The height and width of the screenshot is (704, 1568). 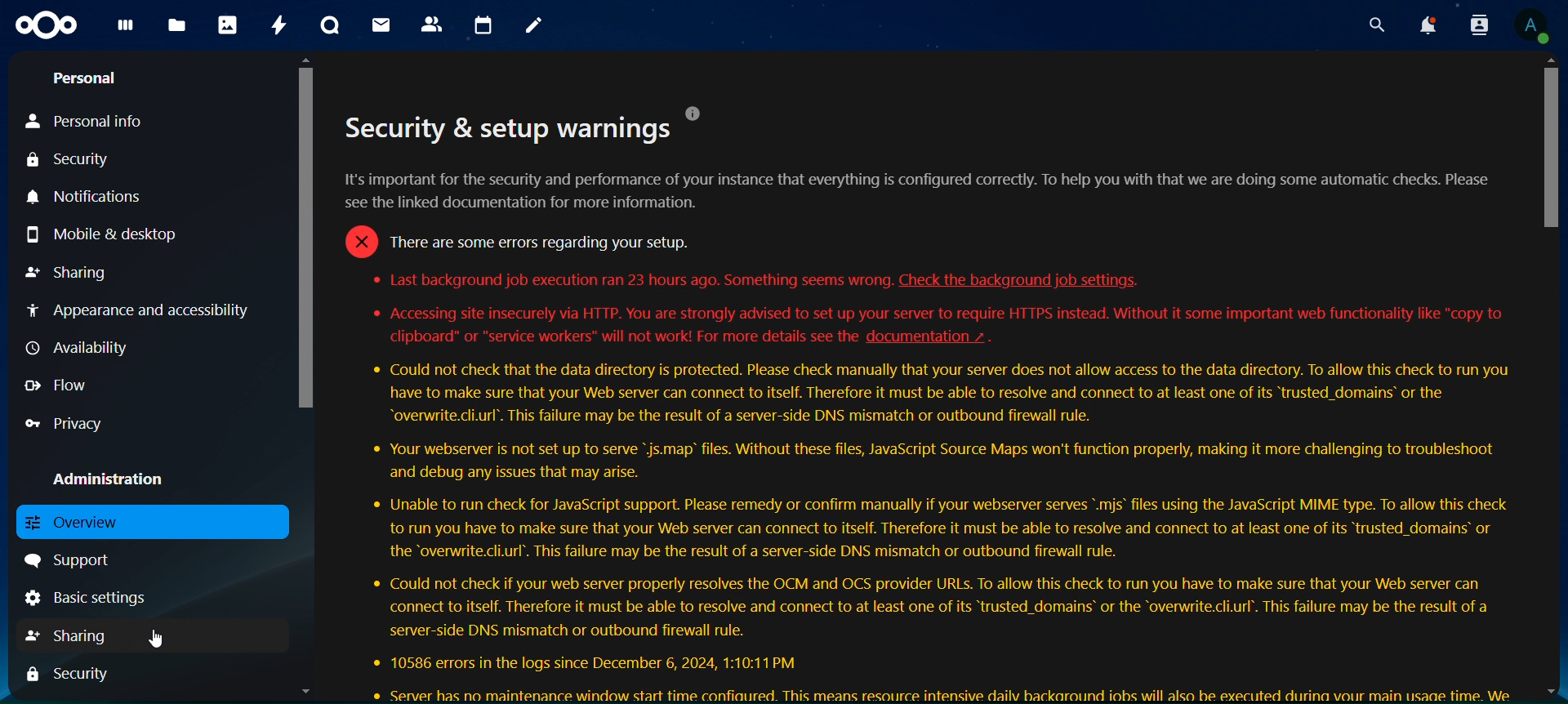 I want to click on mail, so click(x=383, y=25).